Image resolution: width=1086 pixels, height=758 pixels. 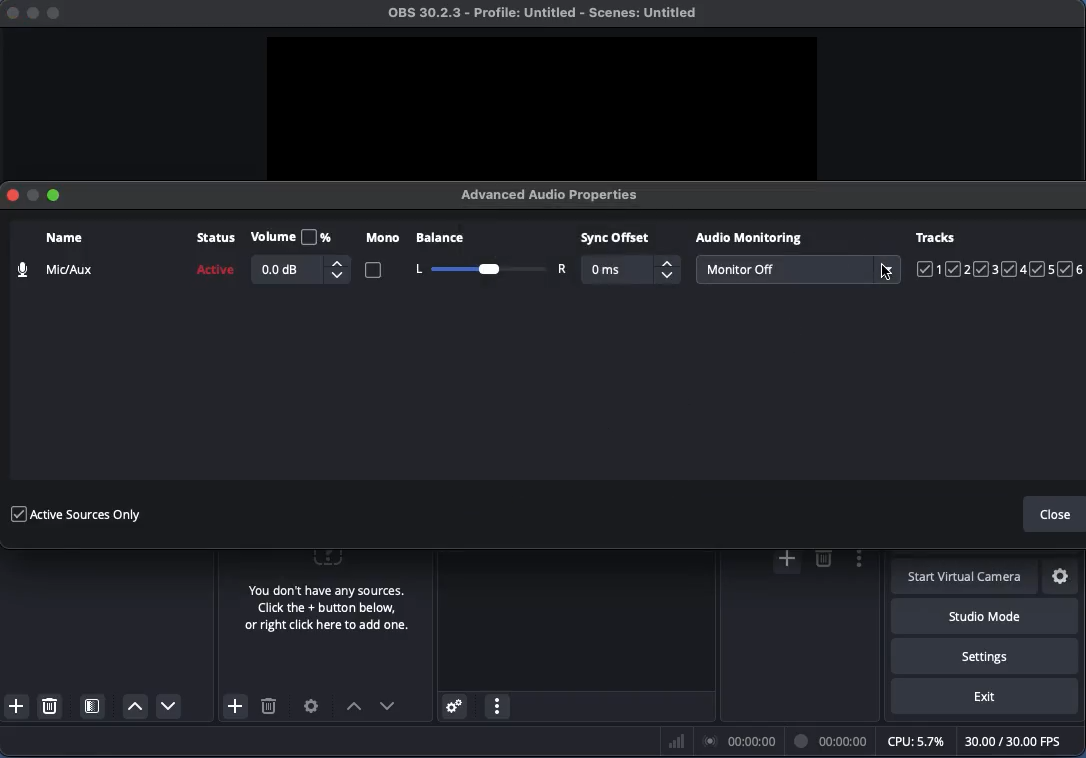 What do you see at coordinates (966, 578) in the screenshot?
I see `Start virtual camera` at bounding box center [966, 578].